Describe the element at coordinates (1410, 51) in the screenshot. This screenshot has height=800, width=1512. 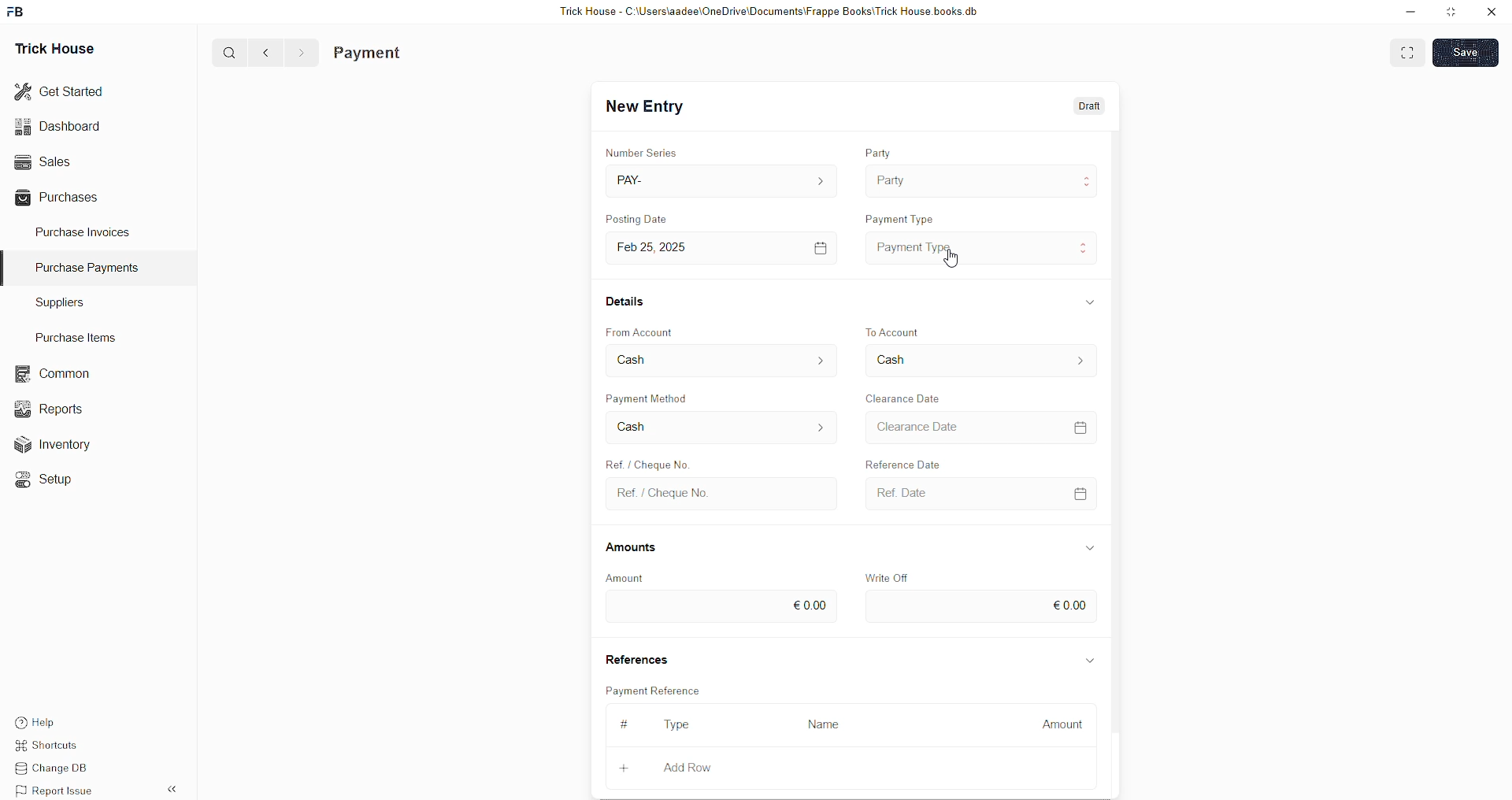
I see `EXPAND` at that location.